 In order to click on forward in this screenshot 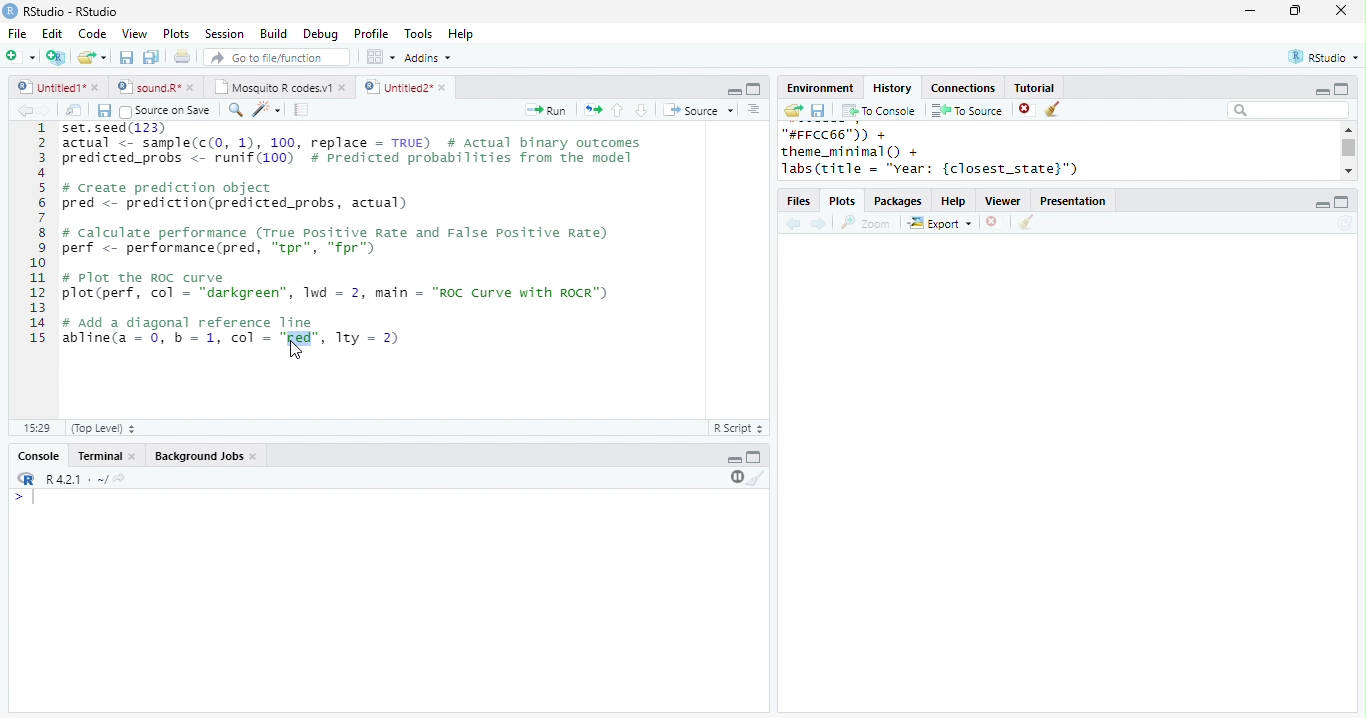, I will do `click(820, 225)`.